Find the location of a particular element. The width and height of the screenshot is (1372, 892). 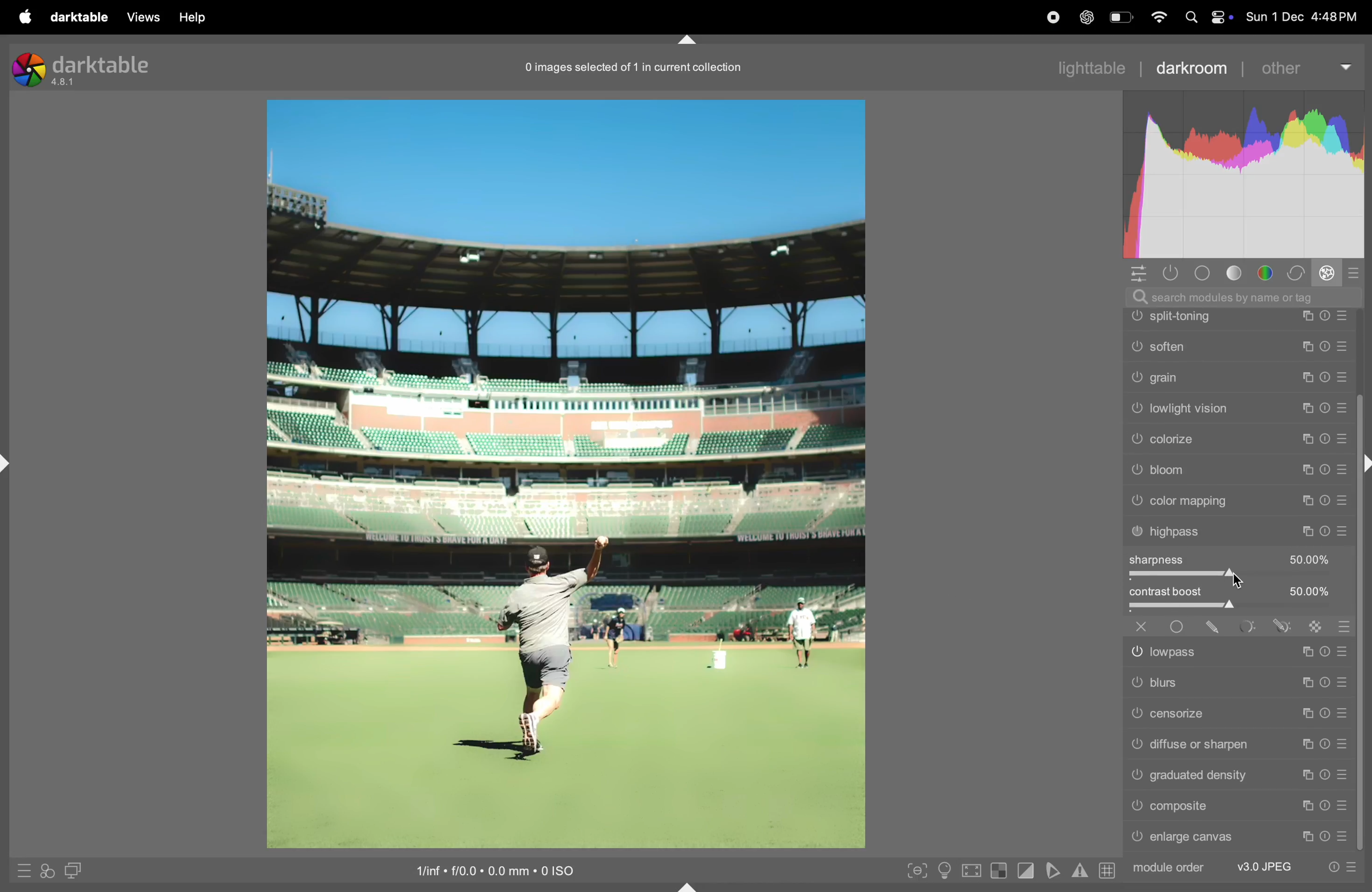

low pass is located at coordinates (1238, 649).